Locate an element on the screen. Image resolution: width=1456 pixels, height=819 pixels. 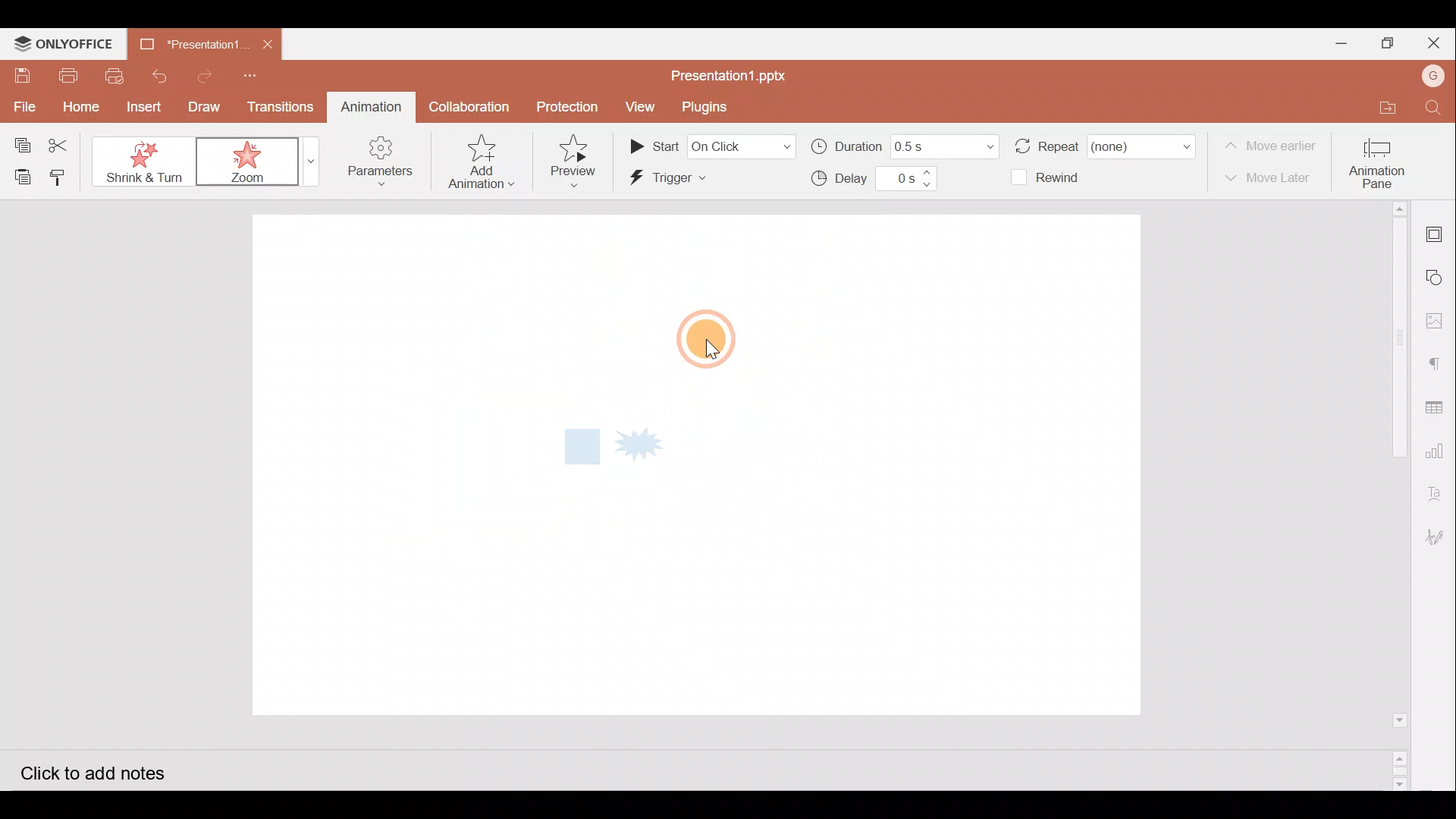
Insert is located at coordinates (140, 106).